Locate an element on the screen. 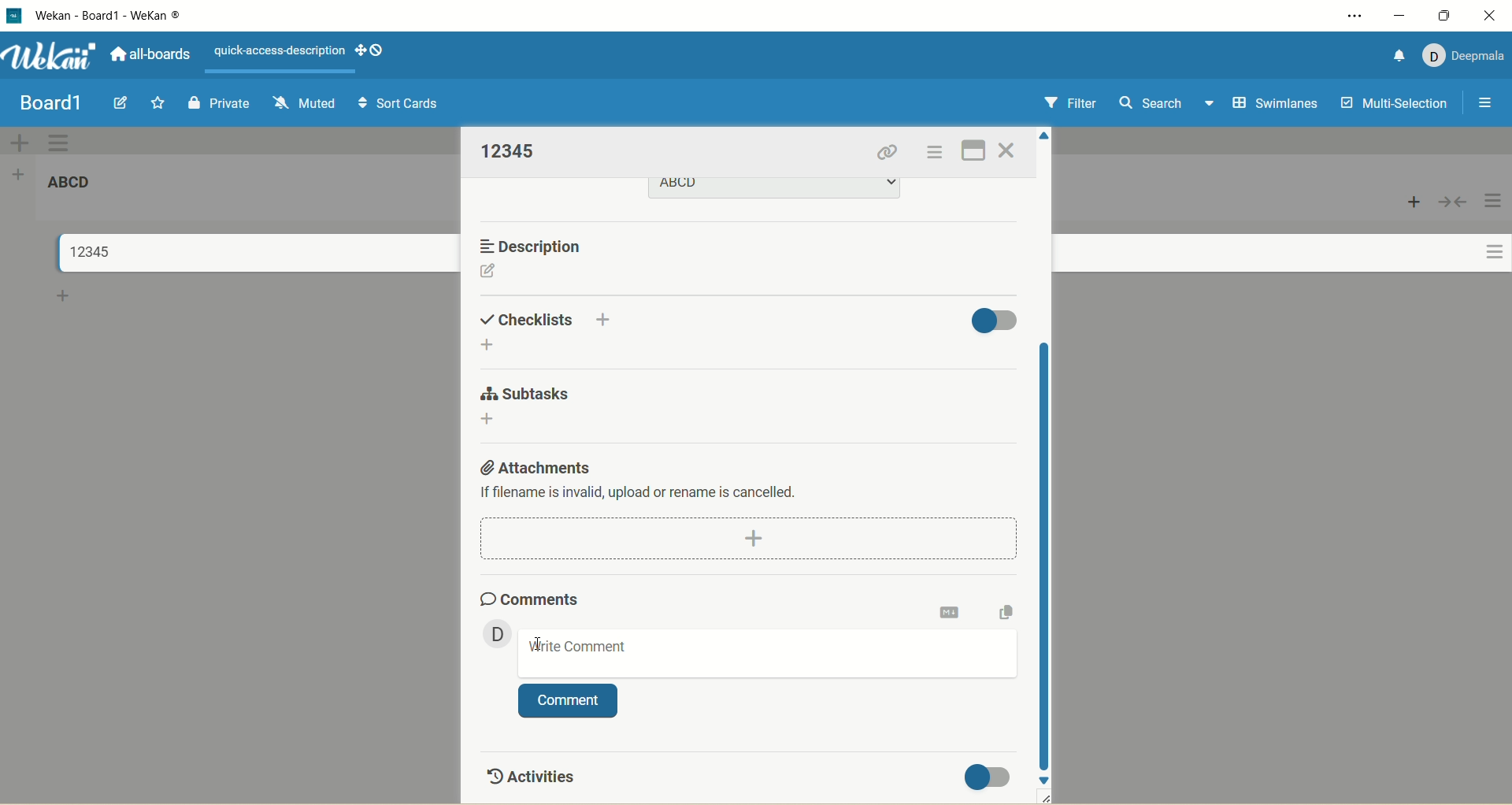 The width and height of the screenshot is (1512, 805). close is located at coordinates (1490, 15).